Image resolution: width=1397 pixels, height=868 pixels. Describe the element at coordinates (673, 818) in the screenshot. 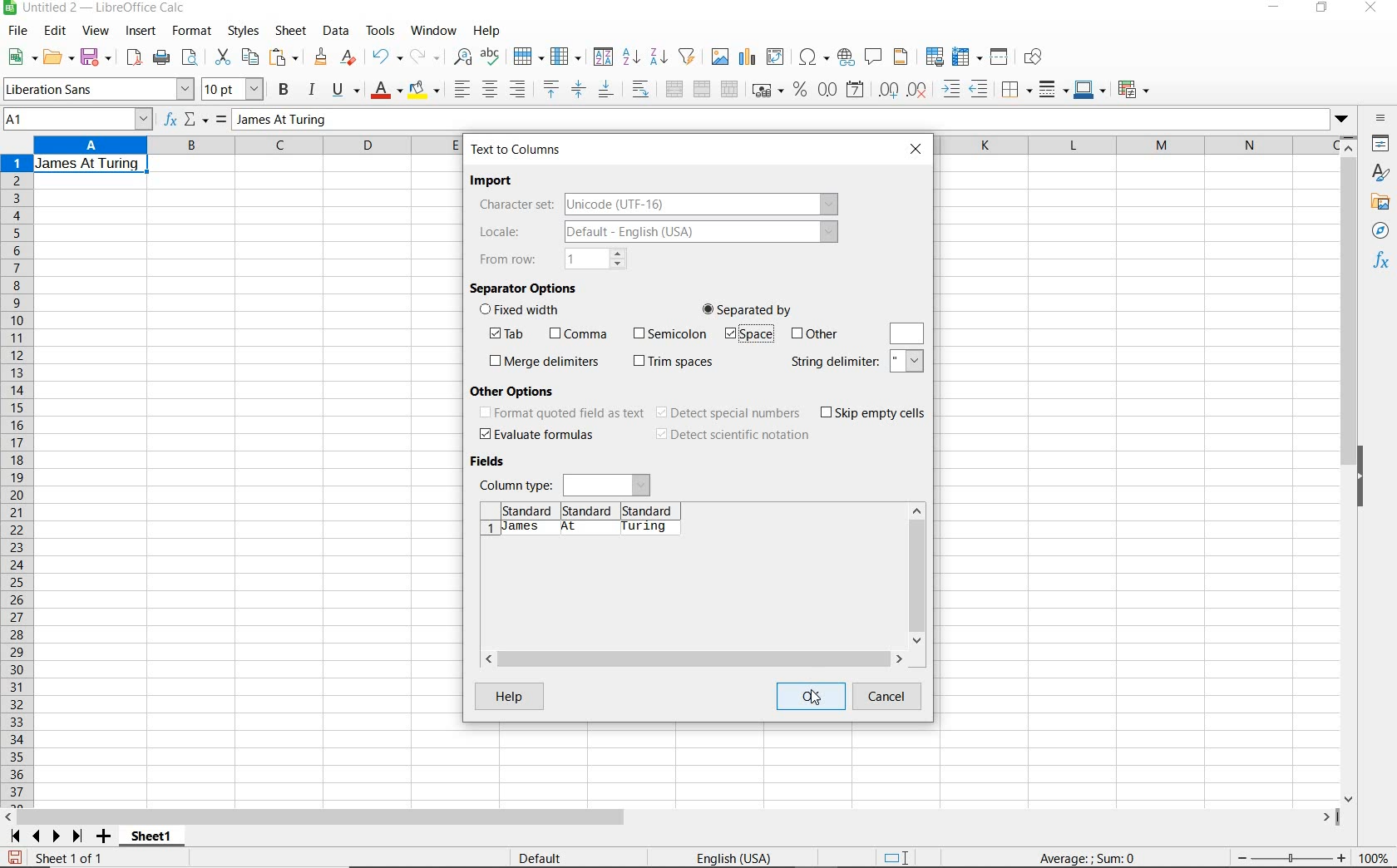

I see `scrollbar` at that location.